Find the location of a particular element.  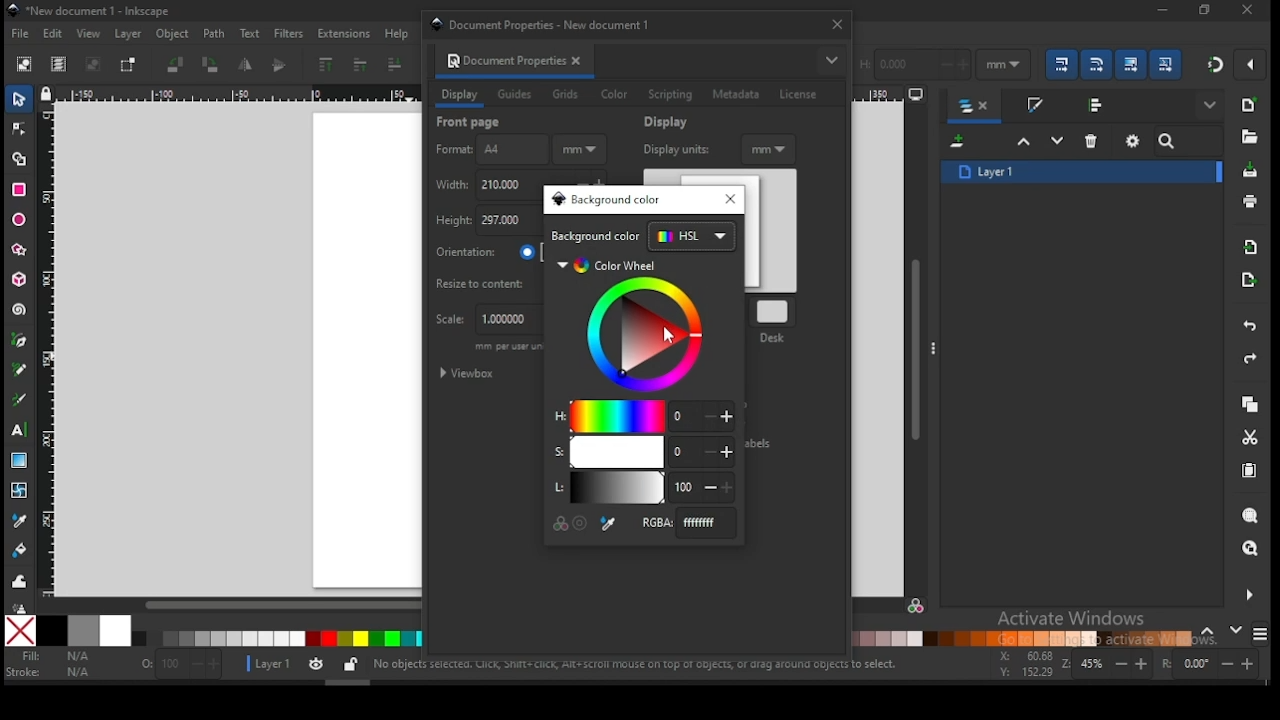

shortcuts and notifications is located at coordinates (634, 665).